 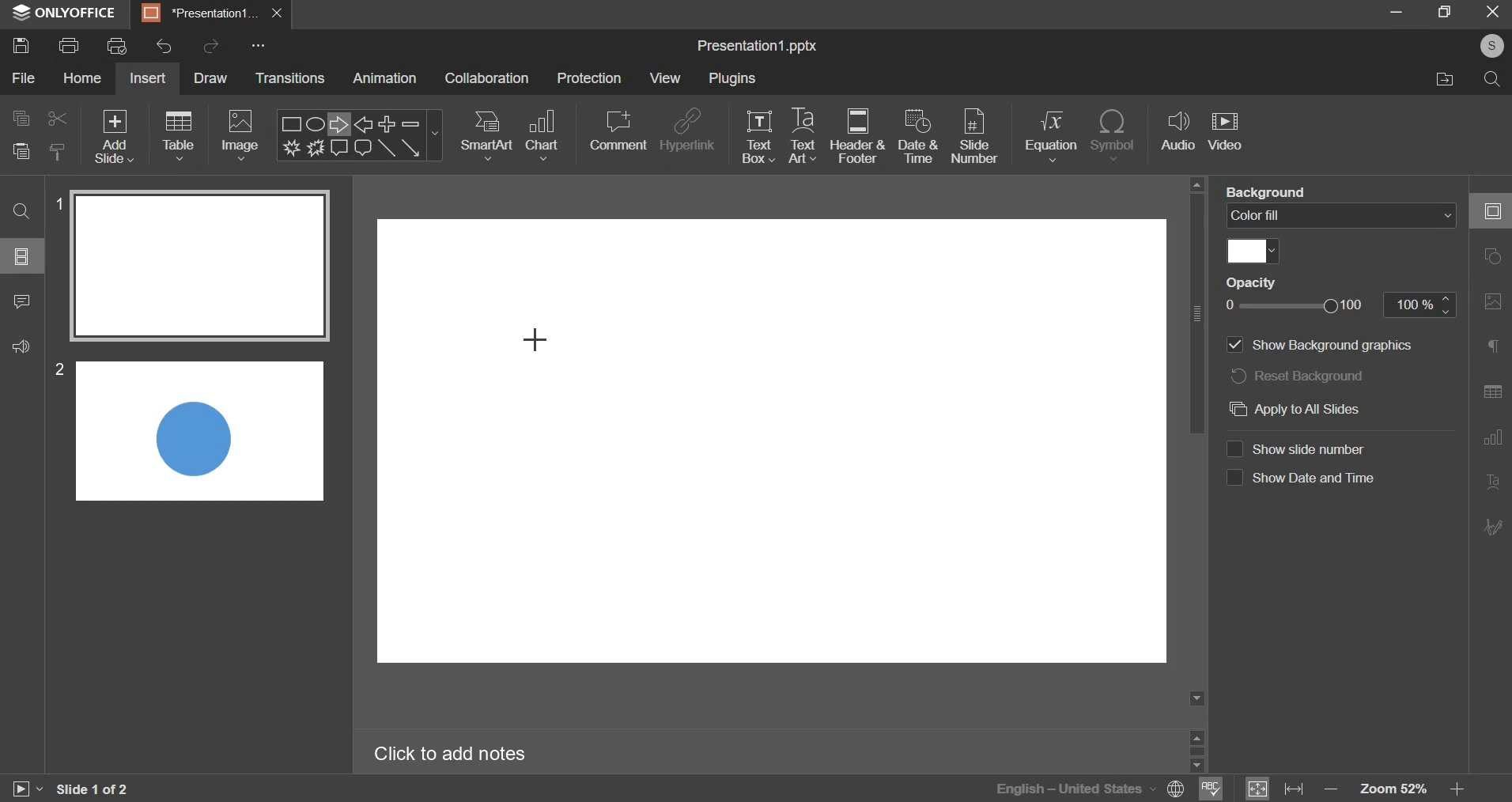 What do you see at coordinates (146, 79) in the screenshot?
I see `insert` at bounding box center [146, 79].